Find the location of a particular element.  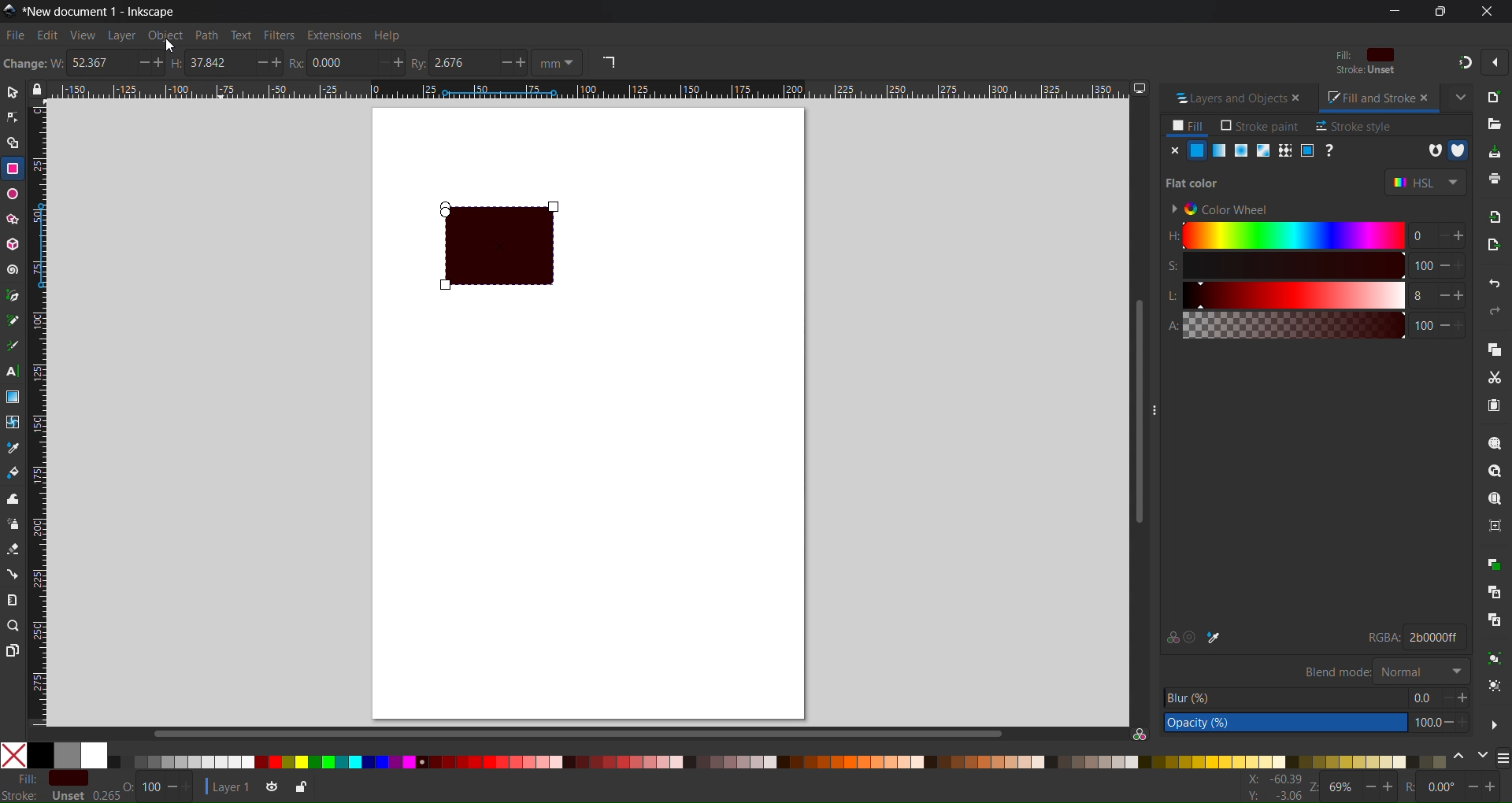

None is located at coordinates (13, 755).